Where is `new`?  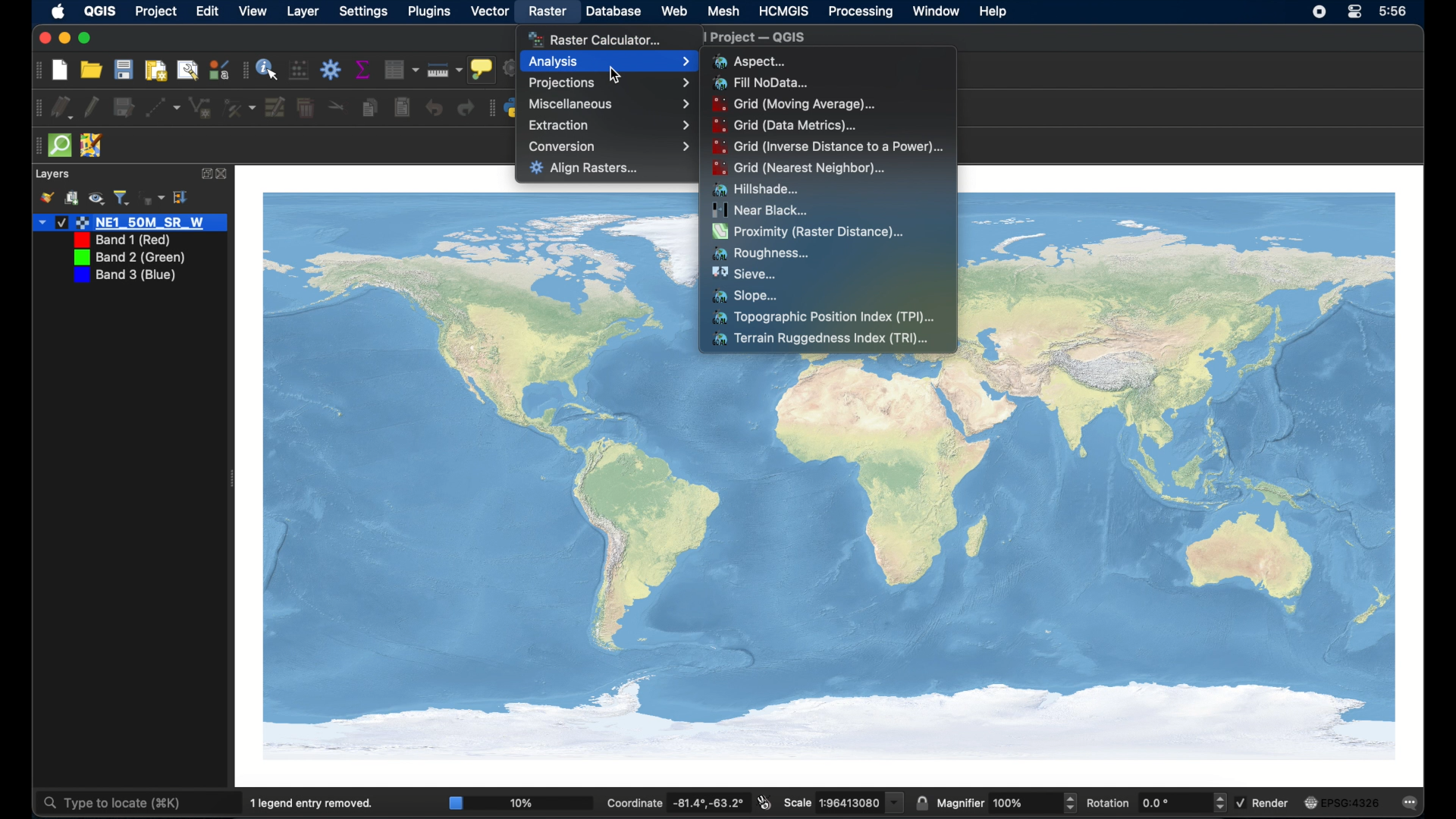 new is located at coordinates (59, 69).